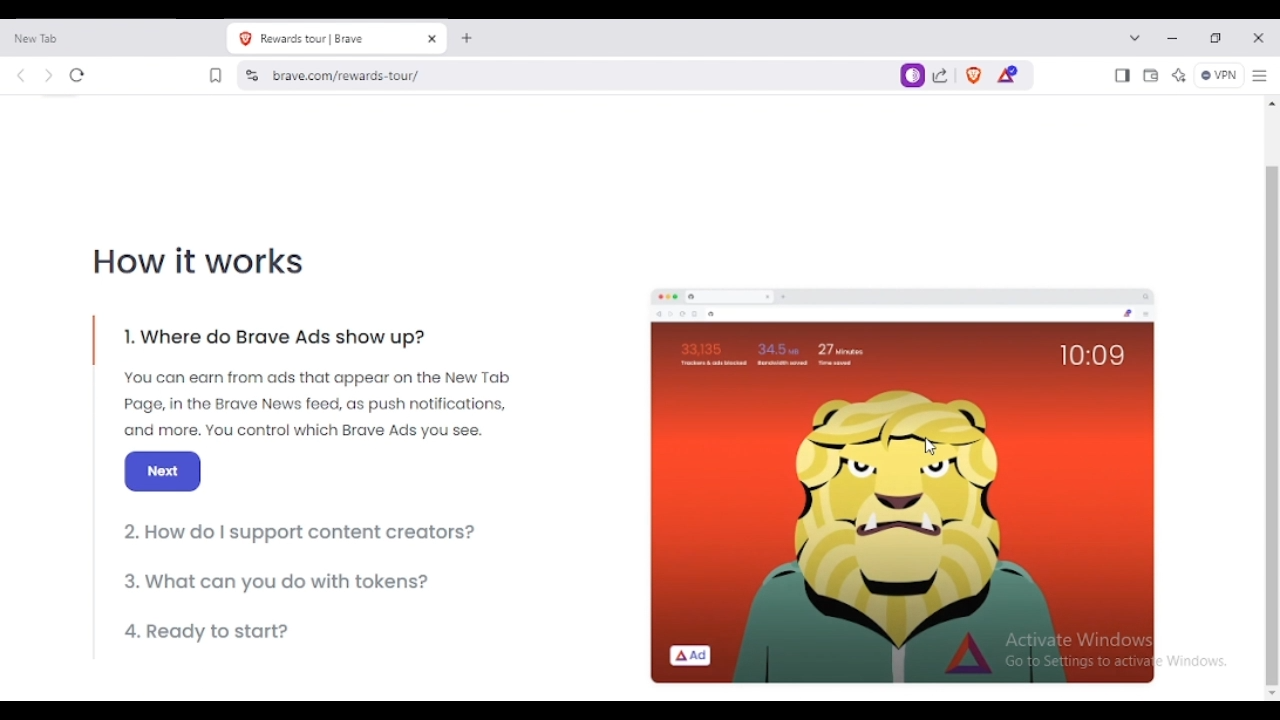  I want to click on close, so click(1258, 39).